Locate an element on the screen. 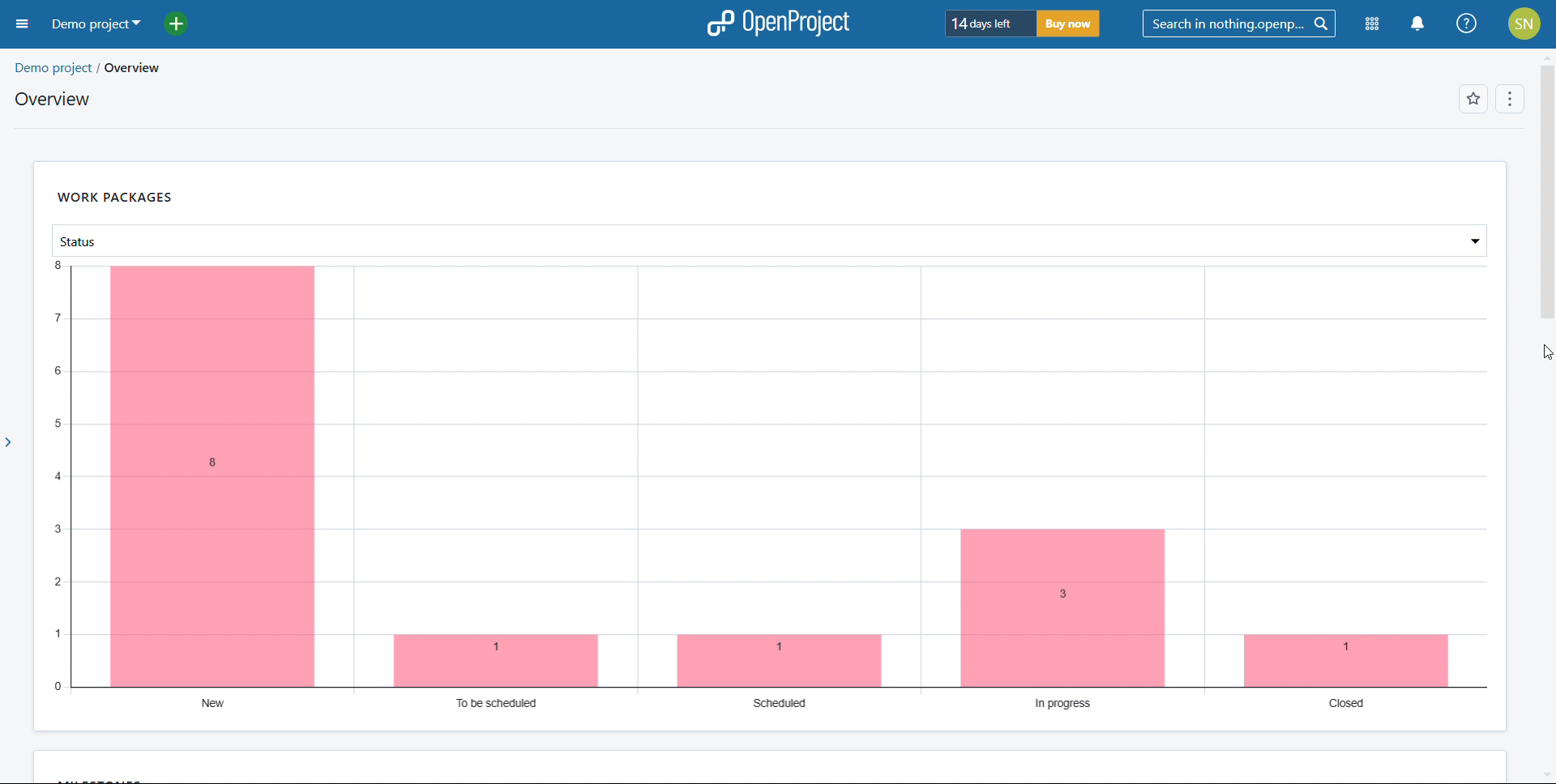  days left for trial is located at coordinates (989, 23).